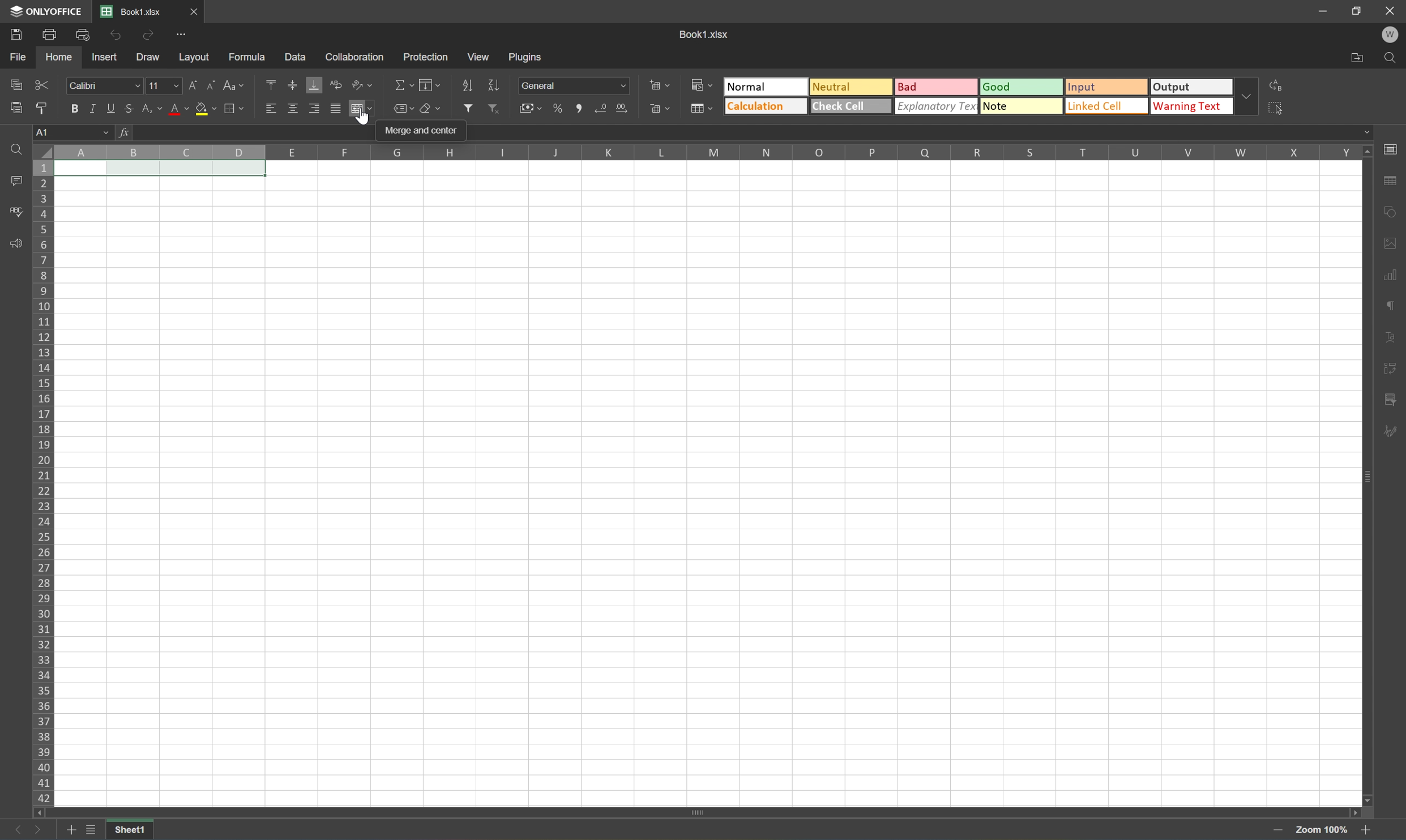  Describe the element at coordinates (293, 110) in the screenshot. I see `Align middle` at that location.